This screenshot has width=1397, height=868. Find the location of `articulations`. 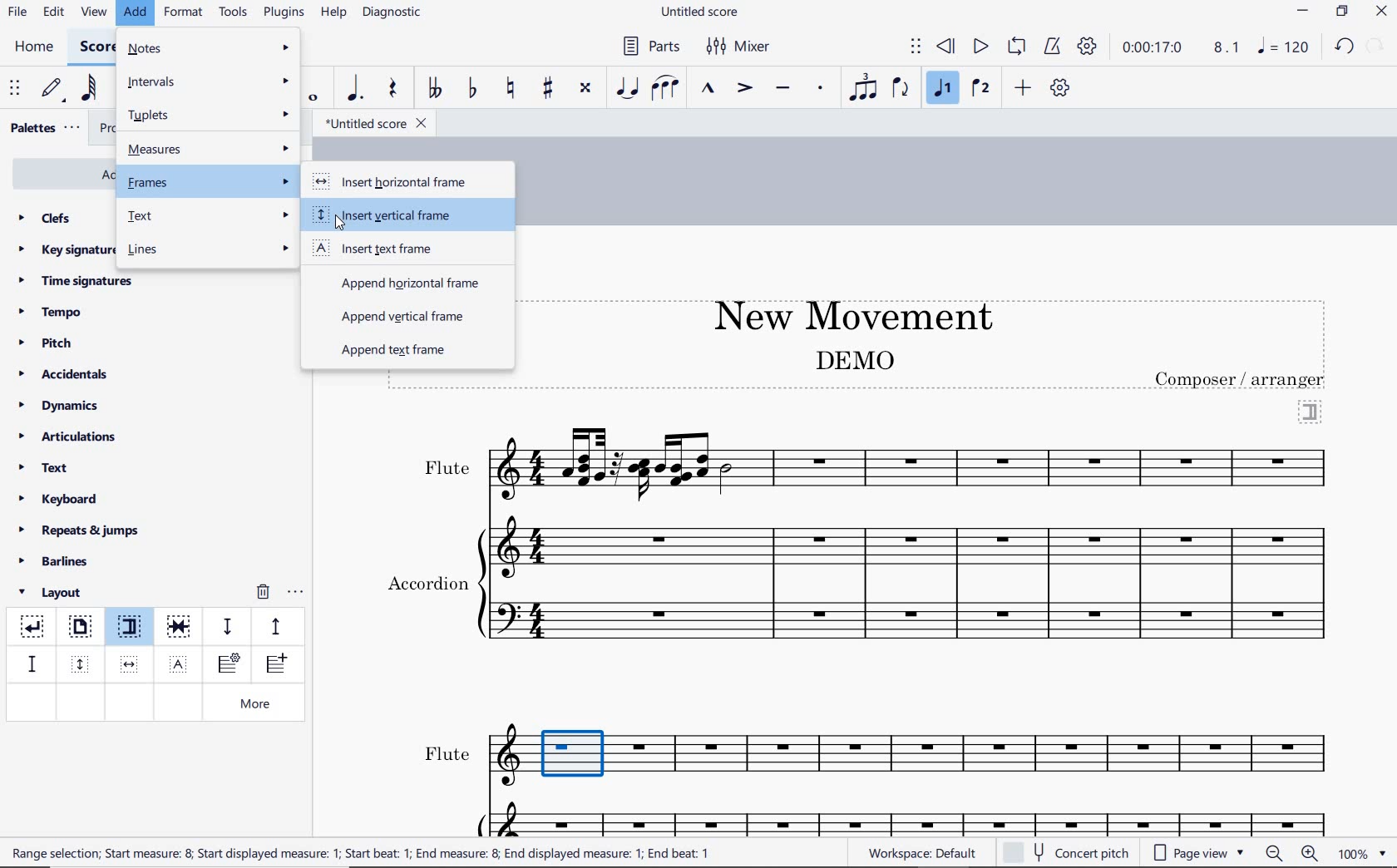

articulations is located at coordinates (69, 439).